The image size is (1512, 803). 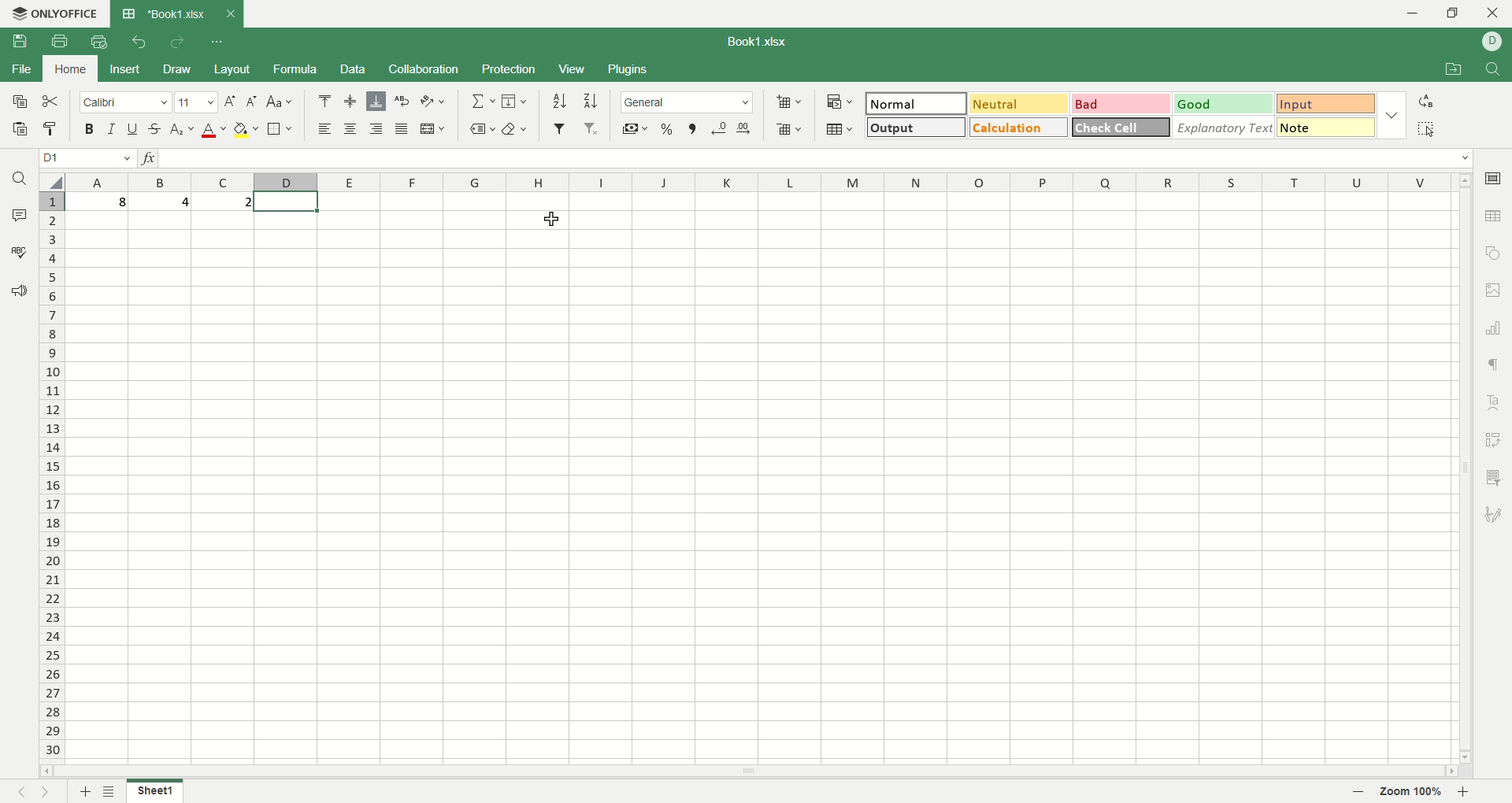 What do you see at coordinates (139, 39) in the screenshot?
I see `undo` at bounding box center [139, 39].